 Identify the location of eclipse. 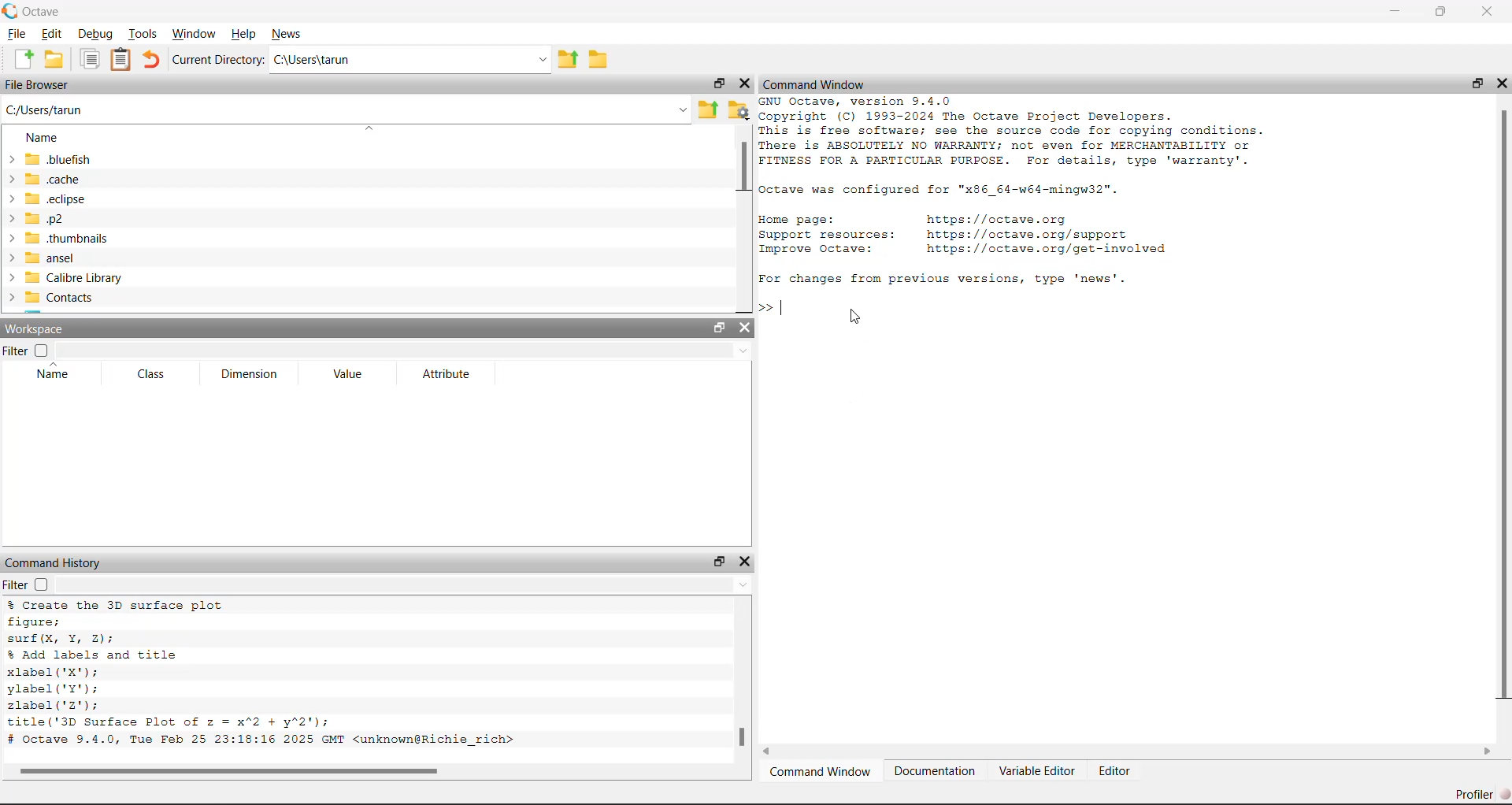
(48, 199).